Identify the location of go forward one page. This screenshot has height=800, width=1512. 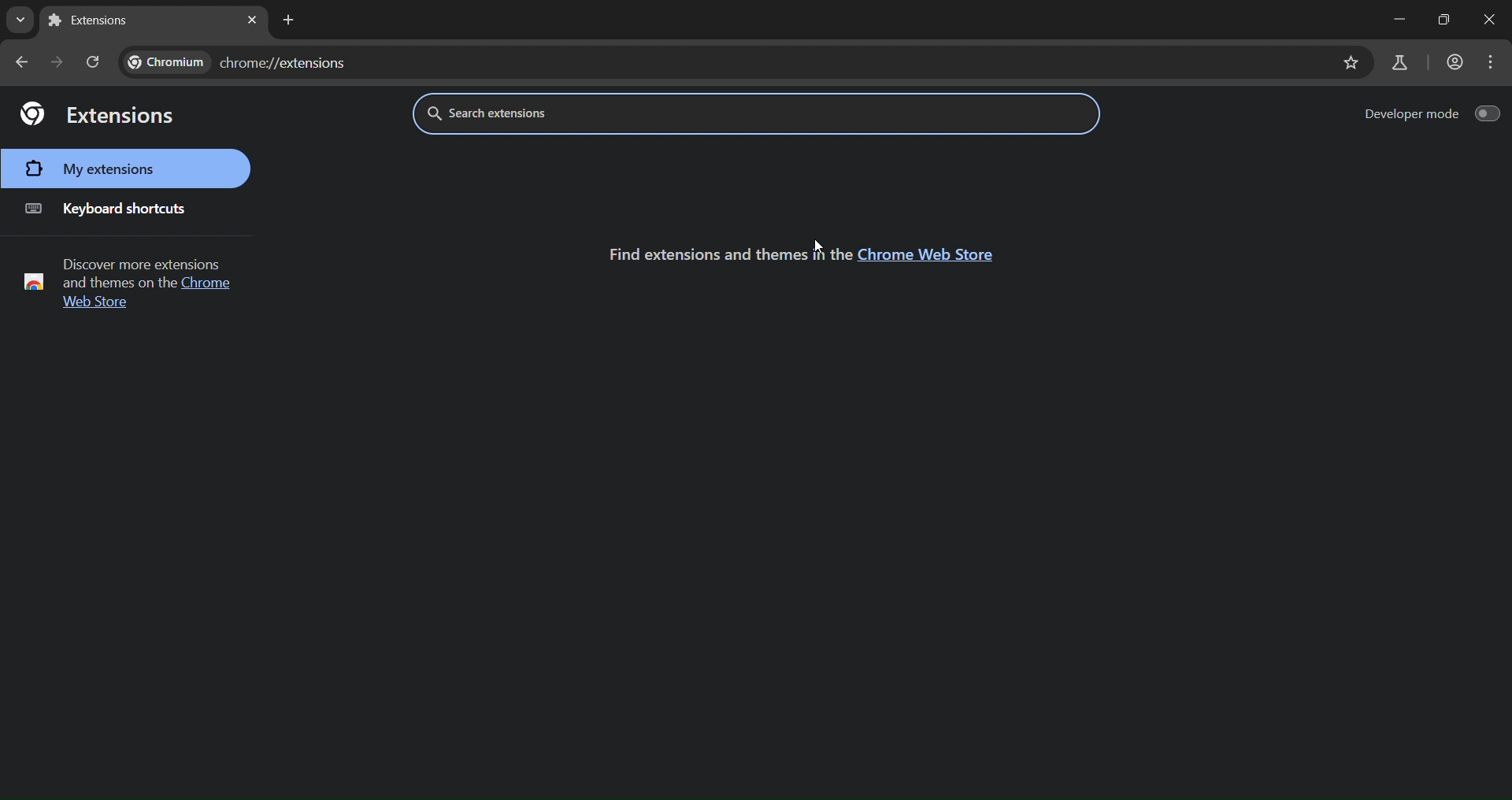
(60, 64).